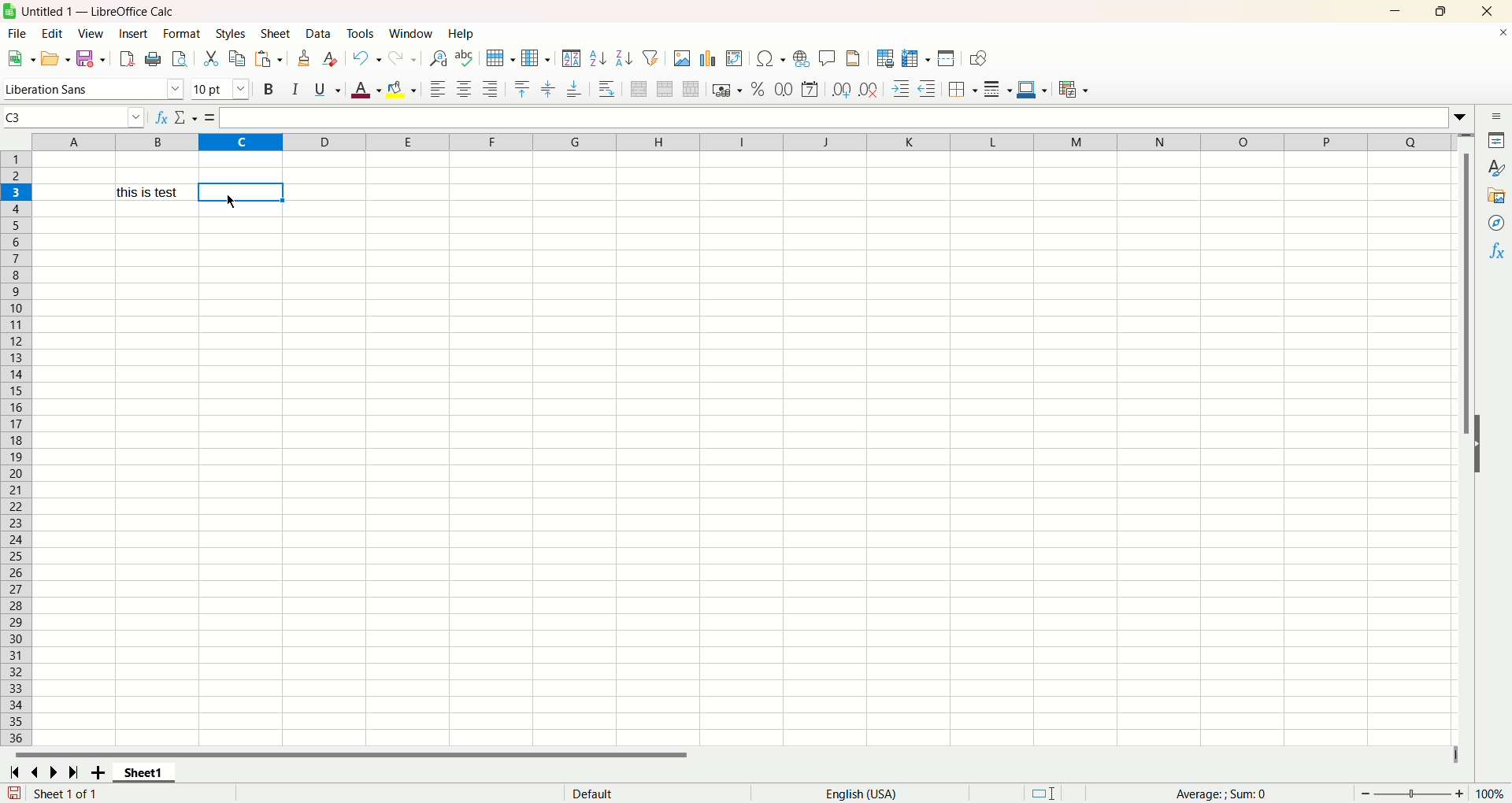  What do you see at coordinates (19, 34) in the screenshot?
I see `file` at bounding box center [19, 34].